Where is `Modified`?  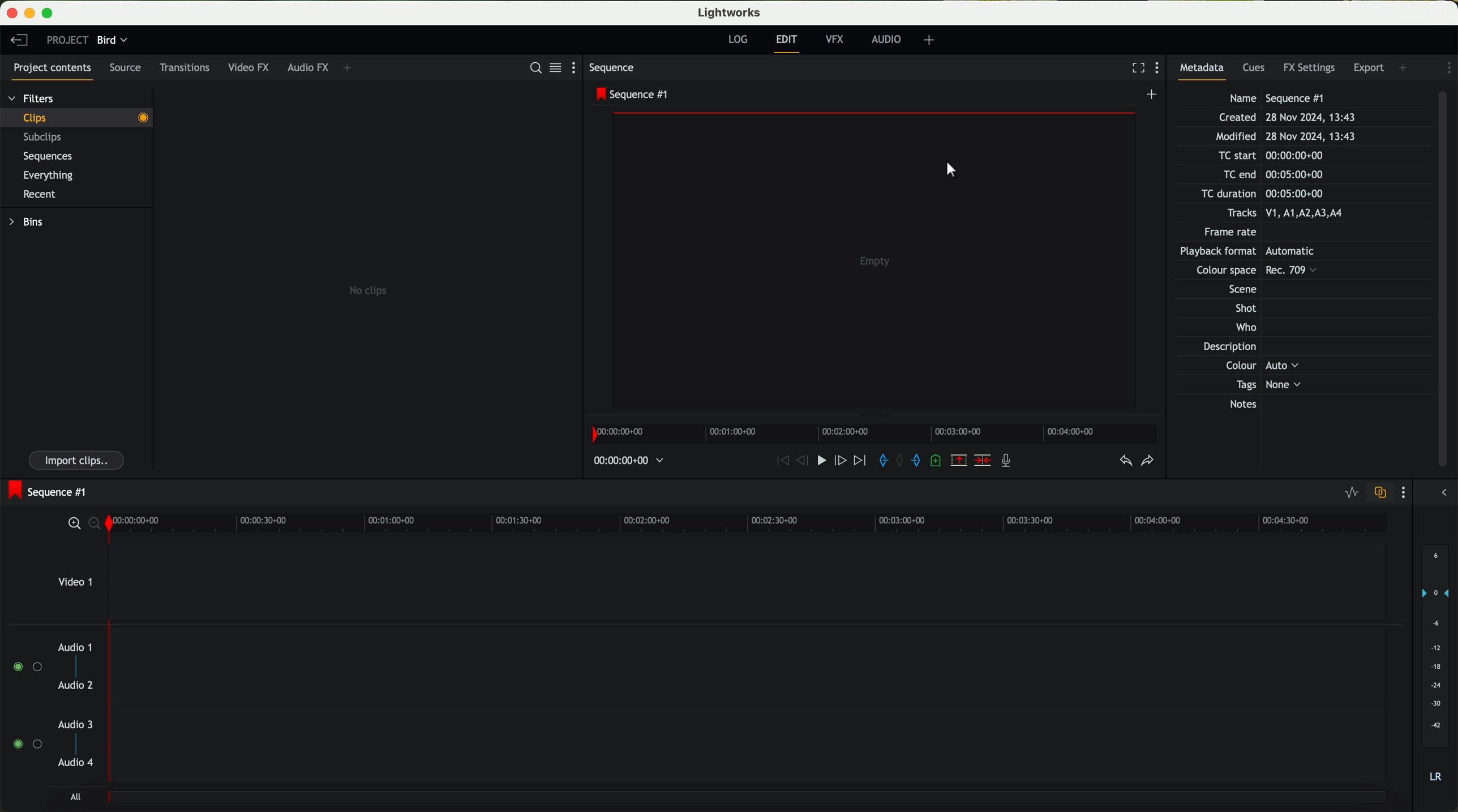 Modified is located at coordinates (1302, 135).